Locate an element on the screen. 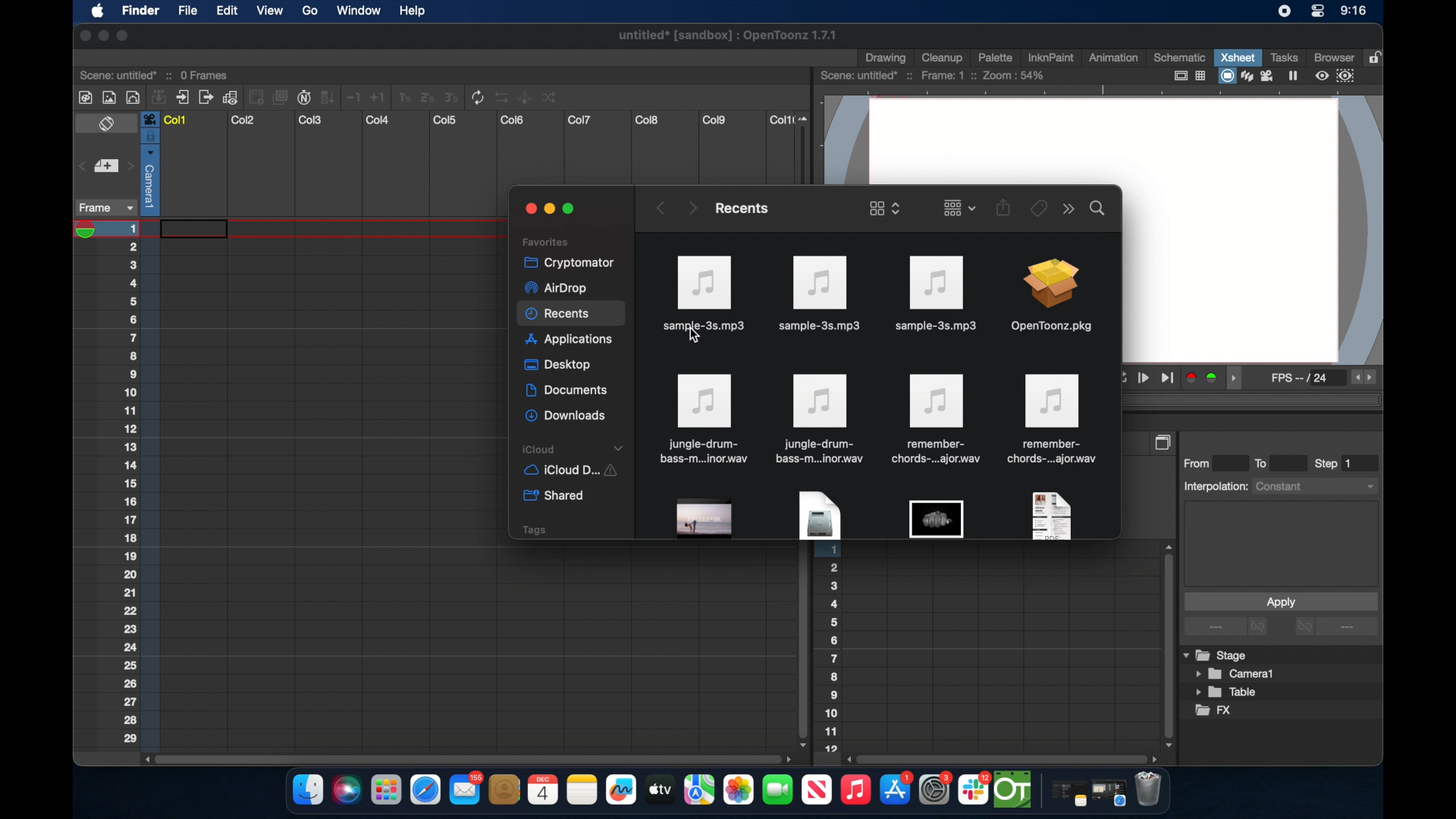 Image resolution: width=1456 pixels, height=819 pixels. minimize is located at coordinates (548, 209).